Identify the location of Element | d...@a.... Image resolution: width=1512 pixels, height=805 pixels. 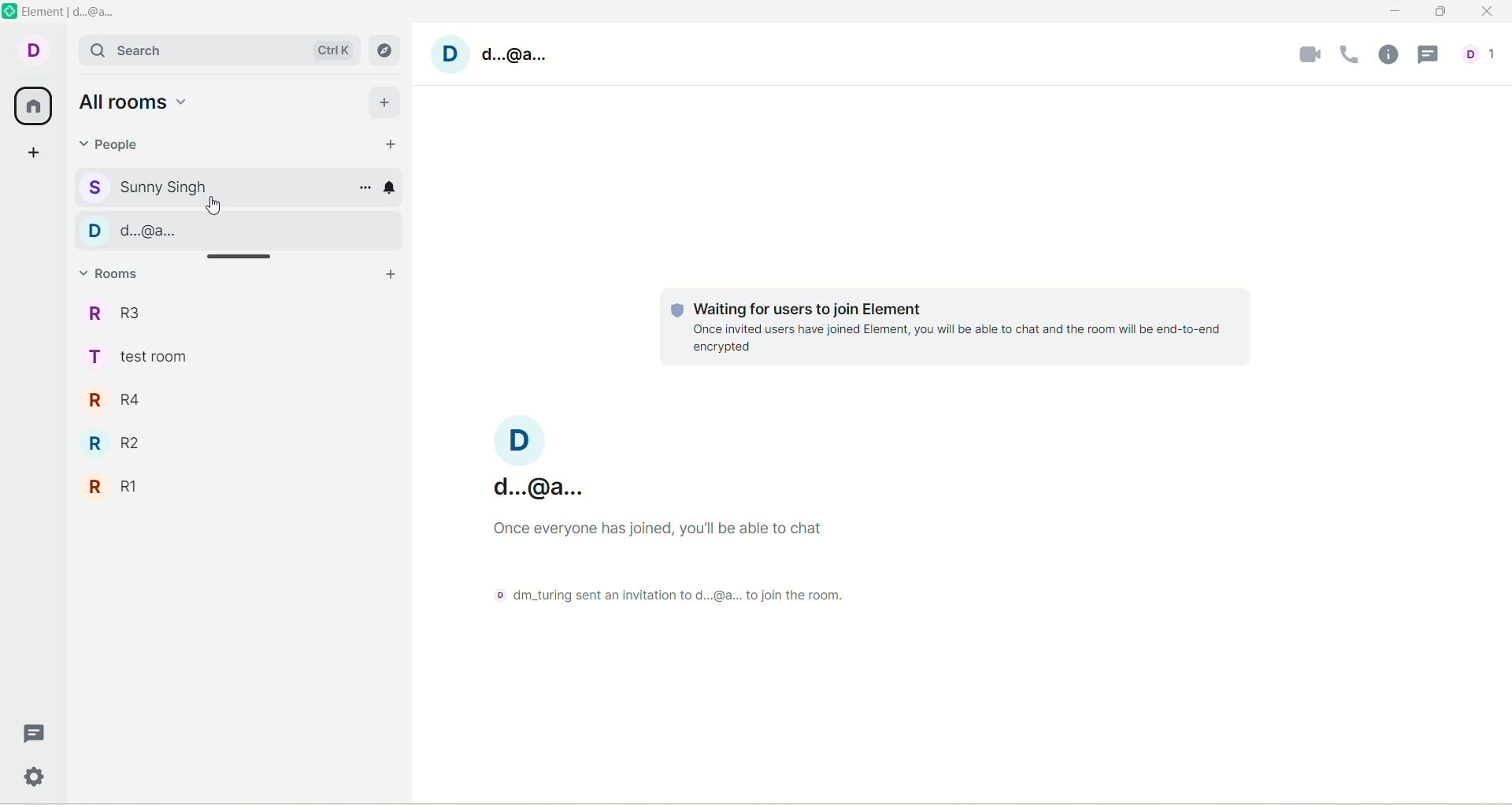
(69, 11).